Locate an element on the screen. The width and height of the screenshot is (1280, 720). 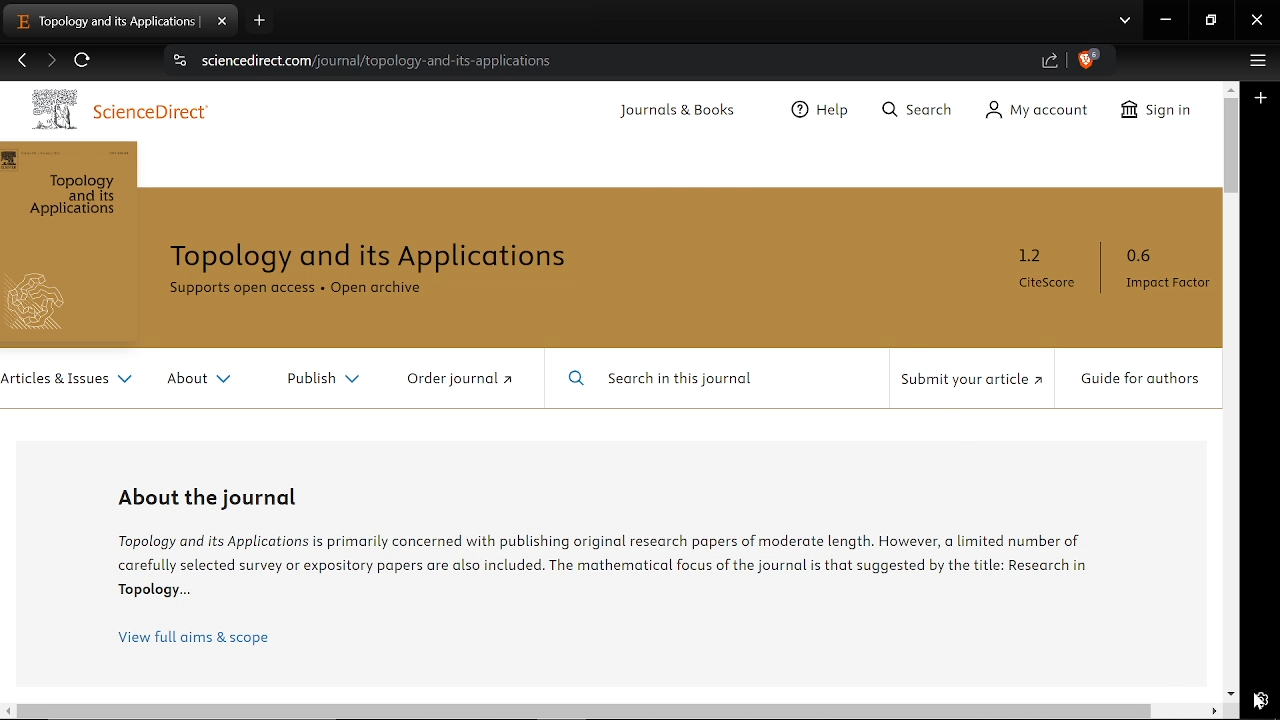
Move down is located at coordinates (1232, 693).